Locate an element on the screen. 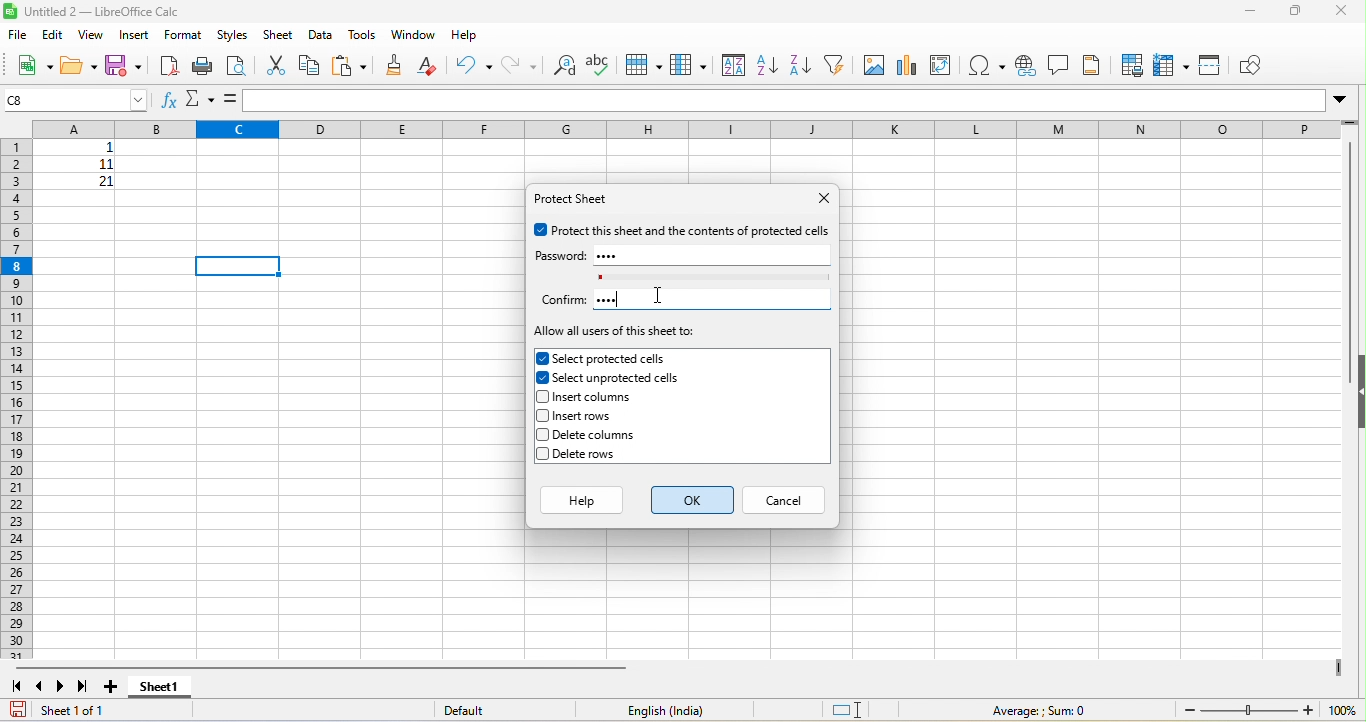 This screenshot has width=1366, height=722. last sheet is located at coordinates (85, 686).